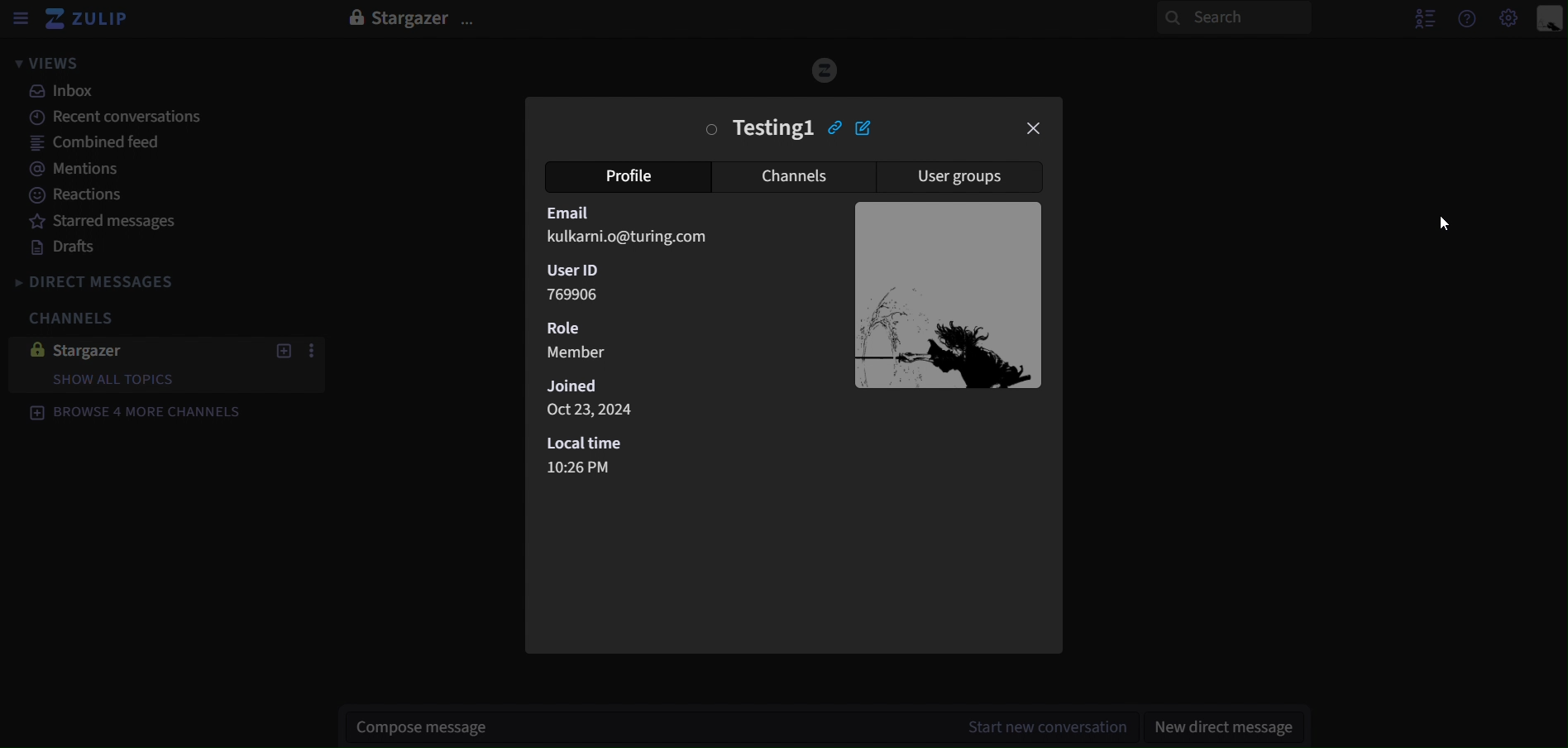  I want to click on views, so click(46, 65).